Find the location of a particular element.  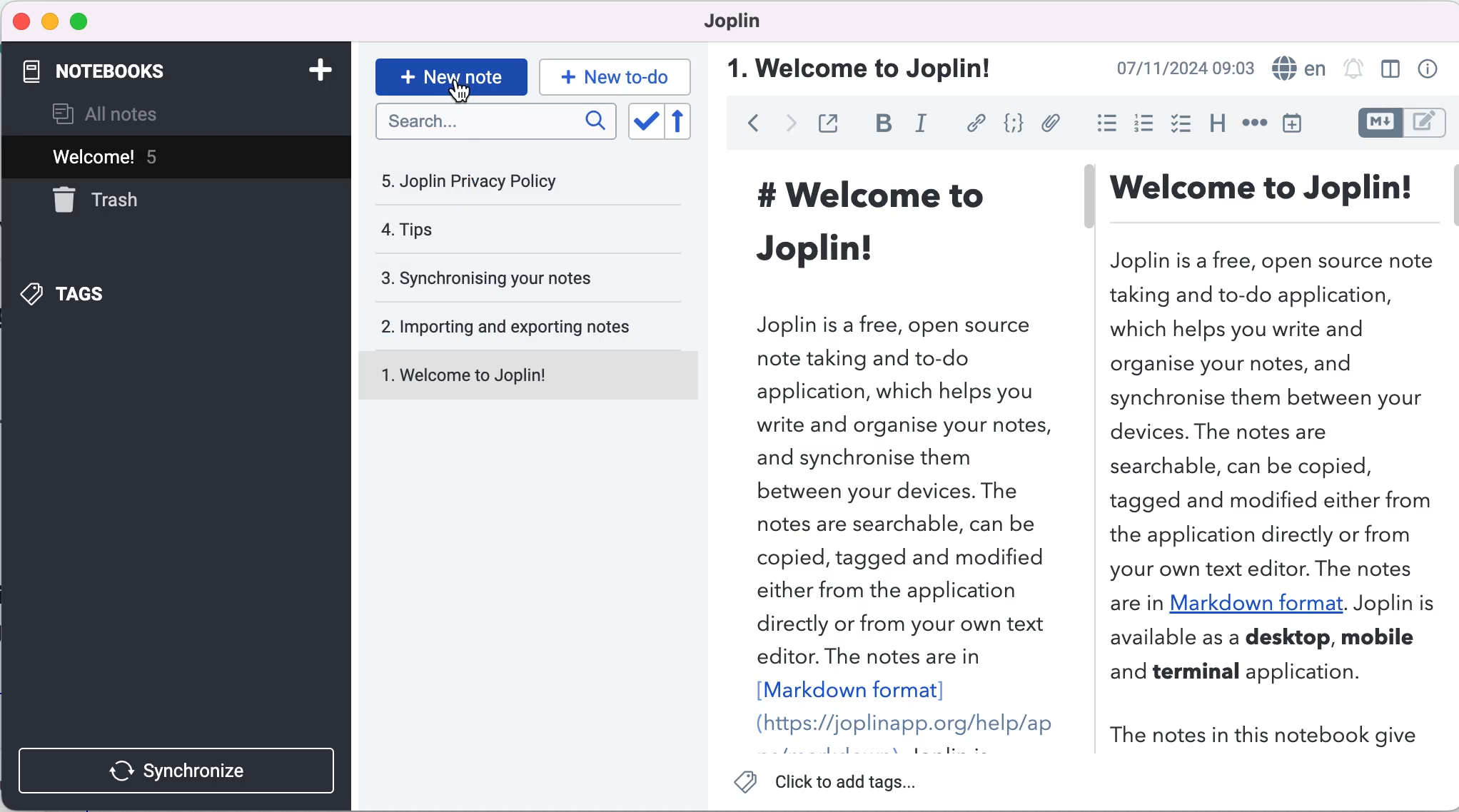

# Welcome to
Joplin!

Joplin is a free, open source
note taking and to-do
application, which helps you
write and organise your notes,
and synchronise them
between your devices. The
notes are searchable, can be
copied, tagged and modified
either from the application
directly or from your own text
editor. The notes are in
[Markdown format]
(https://joplinapp.org/help/ap is located at coordinates (897, 452).